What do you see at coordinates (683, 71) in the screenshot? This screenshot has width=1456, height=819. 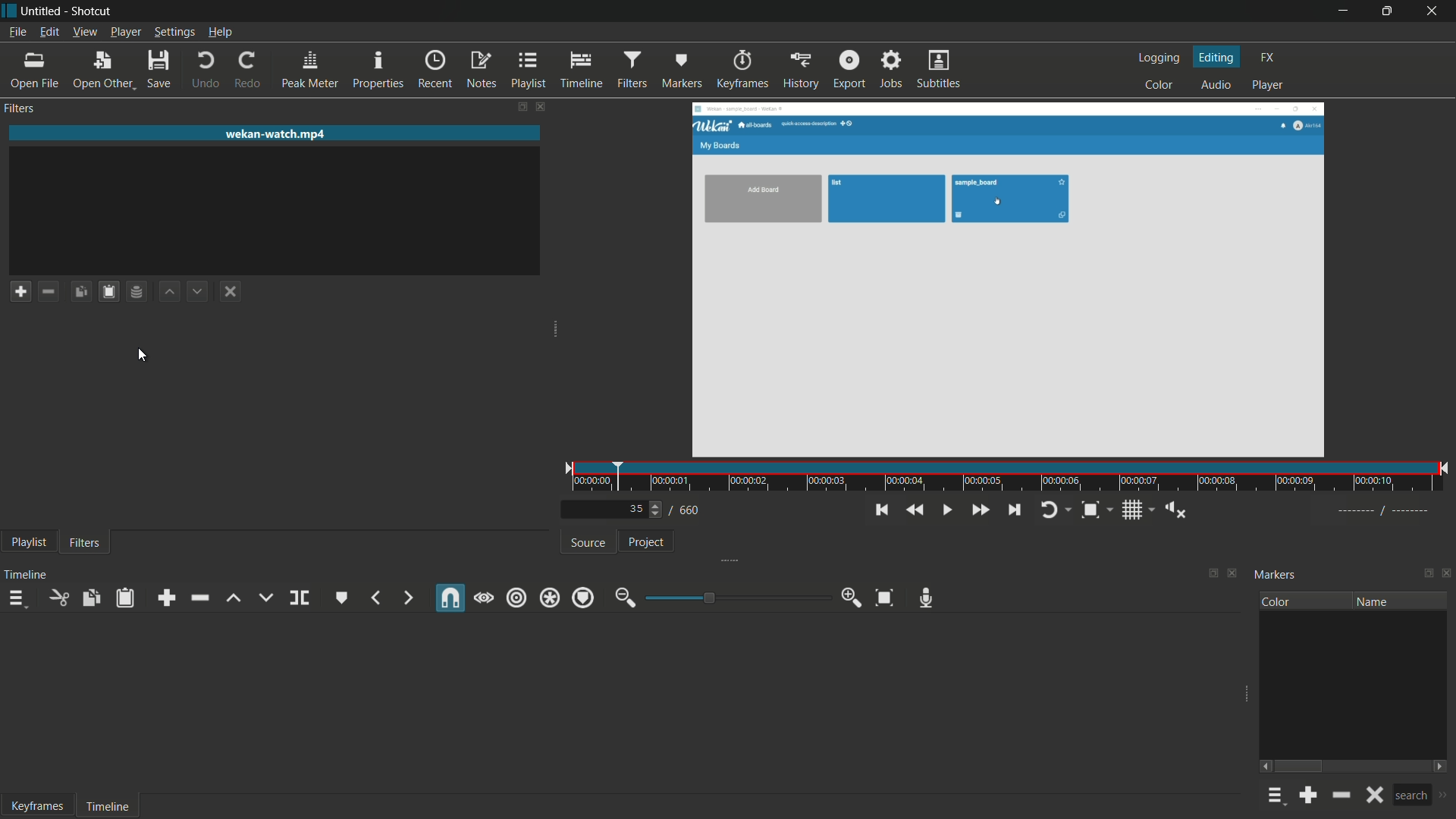 I see `markers` at bounding box center [683, 71].